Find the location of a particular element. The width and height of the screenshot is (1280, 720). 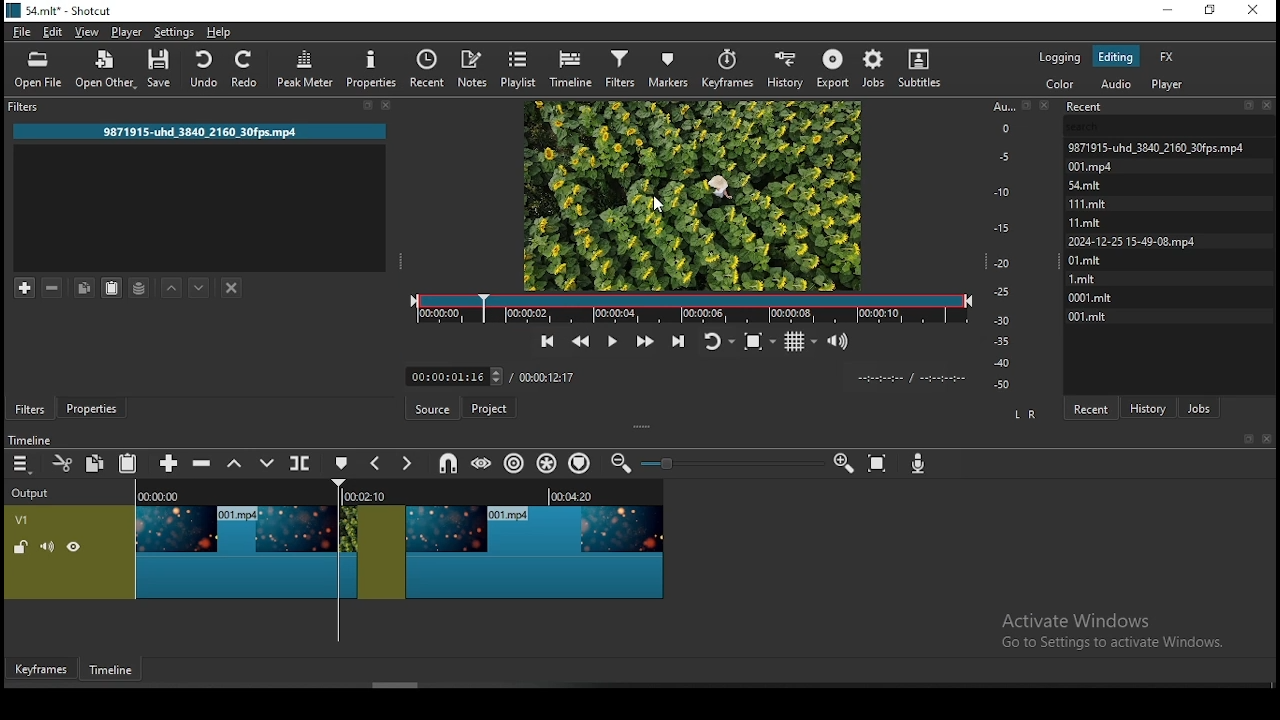

previous marker is located at coordinates (375, 464).